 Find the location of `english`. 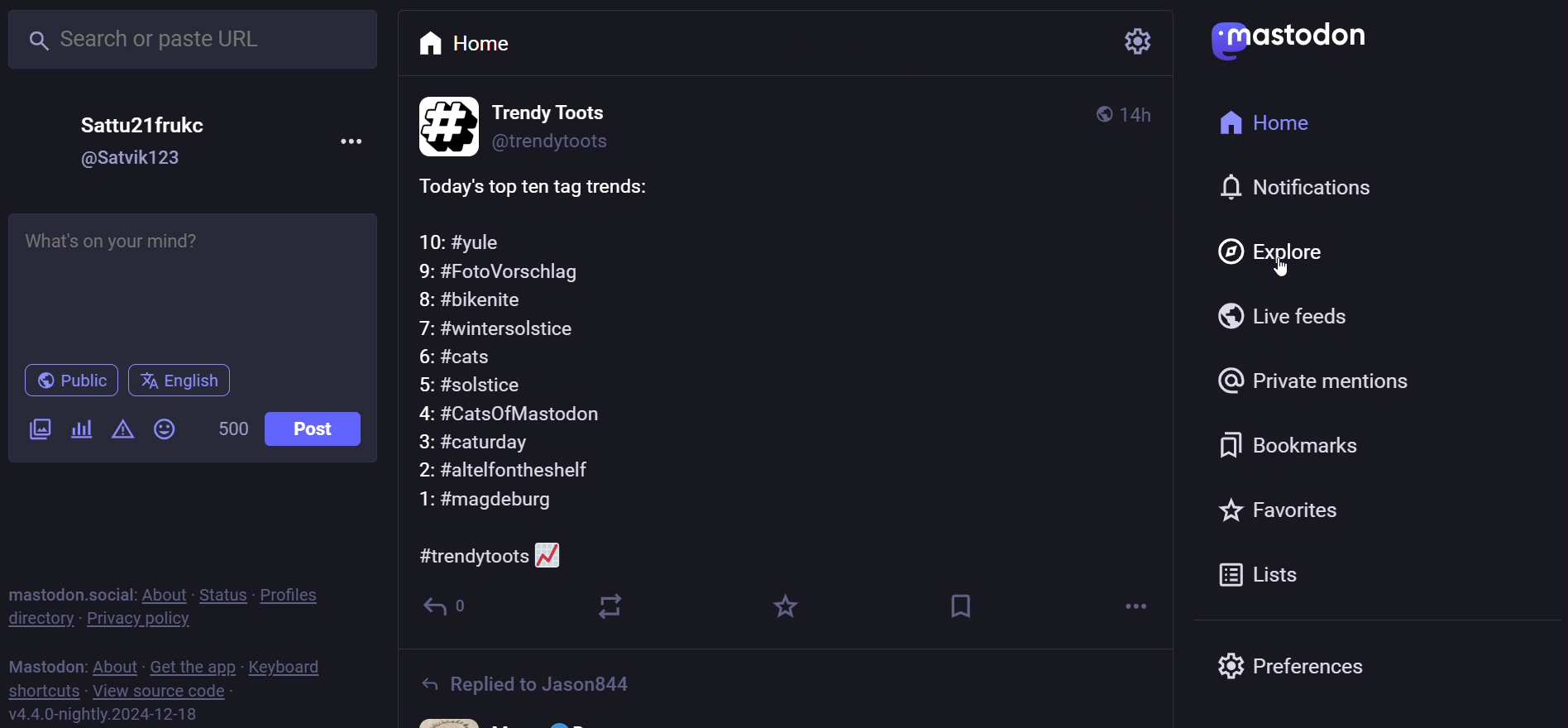

english is located at coordinates (187, 382).